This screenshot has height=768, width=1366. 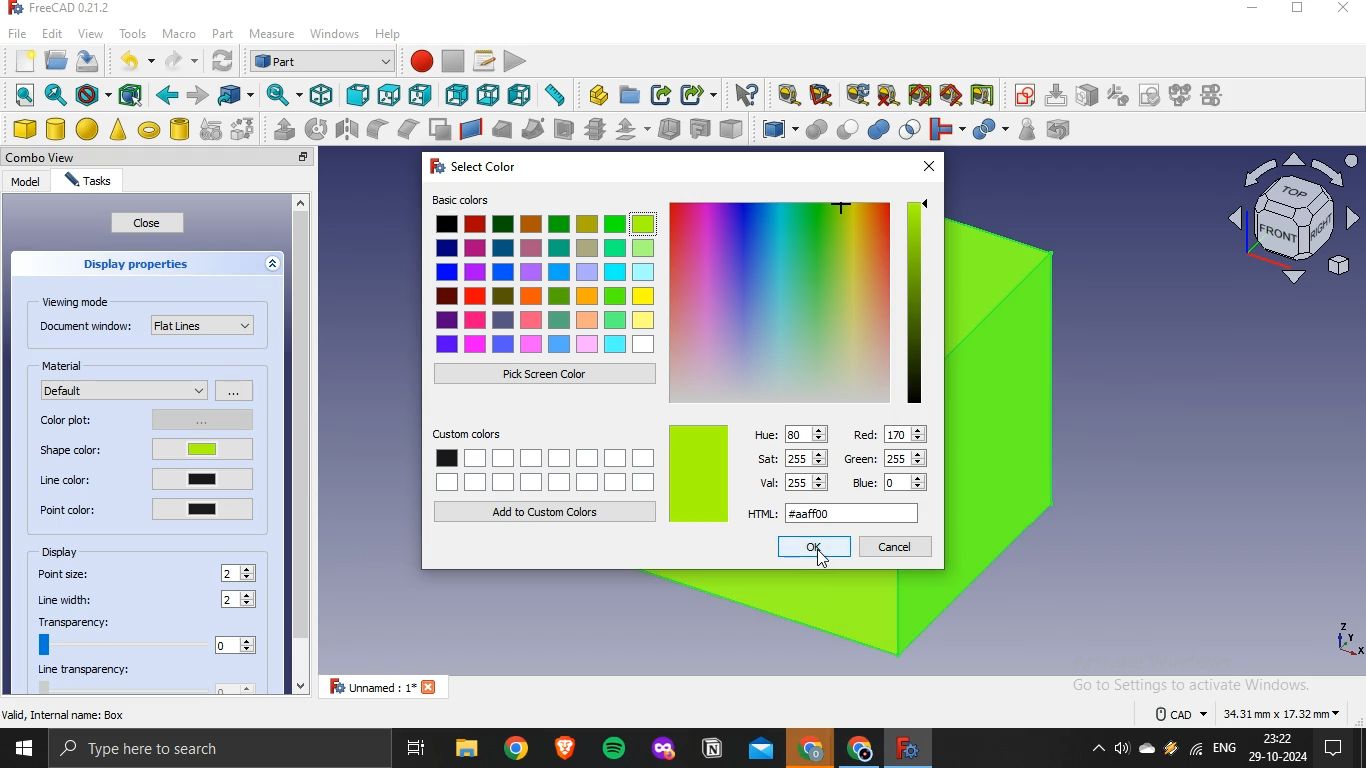 What do you see at coordinates (520, 94) in the screenshot?
I see `left` at bounding box center [520, 94].